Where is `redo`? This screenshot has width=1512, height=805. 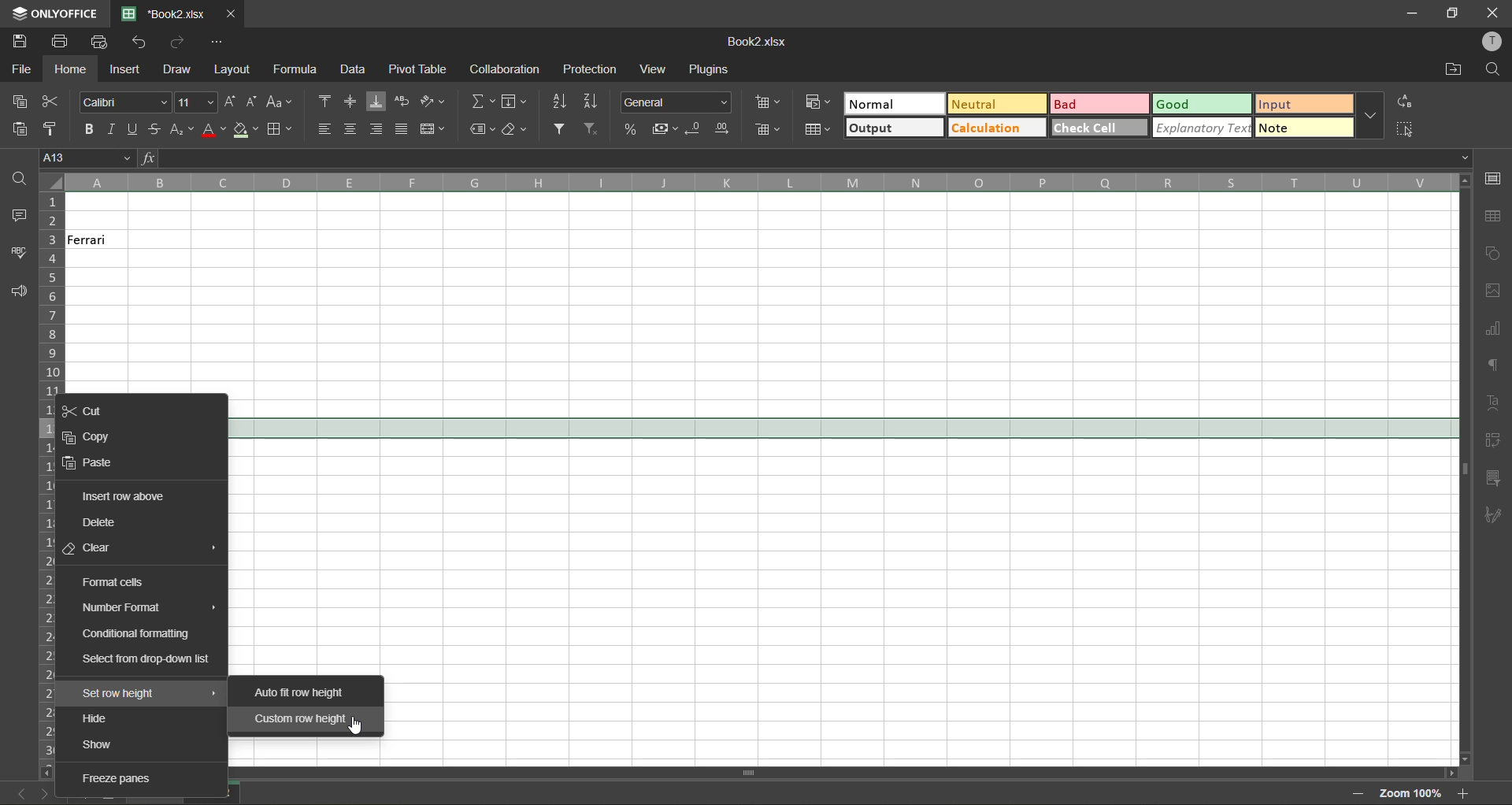 redo is located at coordinates (180, 43).